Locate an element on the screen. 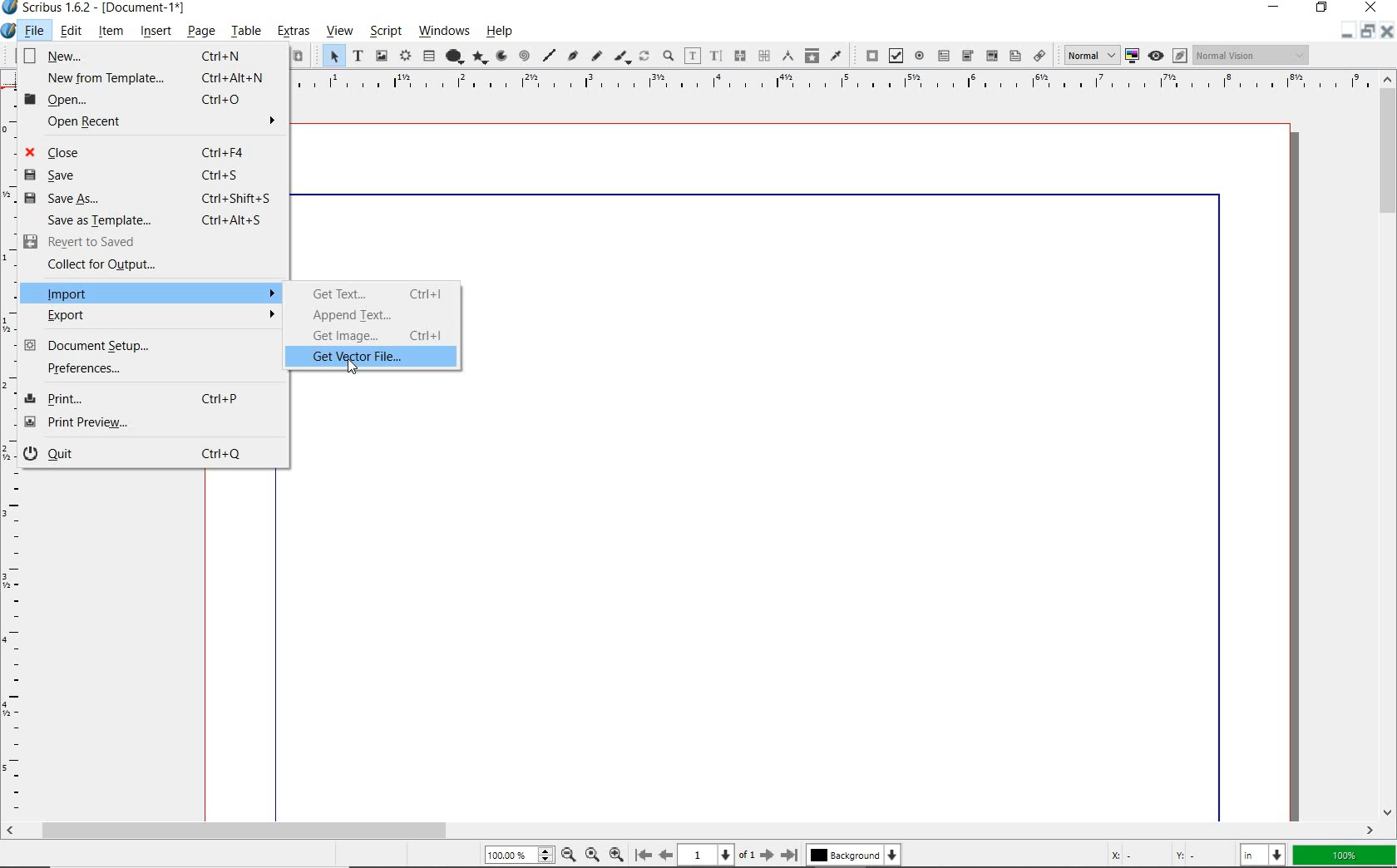 The image size is (1397, 868). unlink text frames is located at coordinates (764, 55).